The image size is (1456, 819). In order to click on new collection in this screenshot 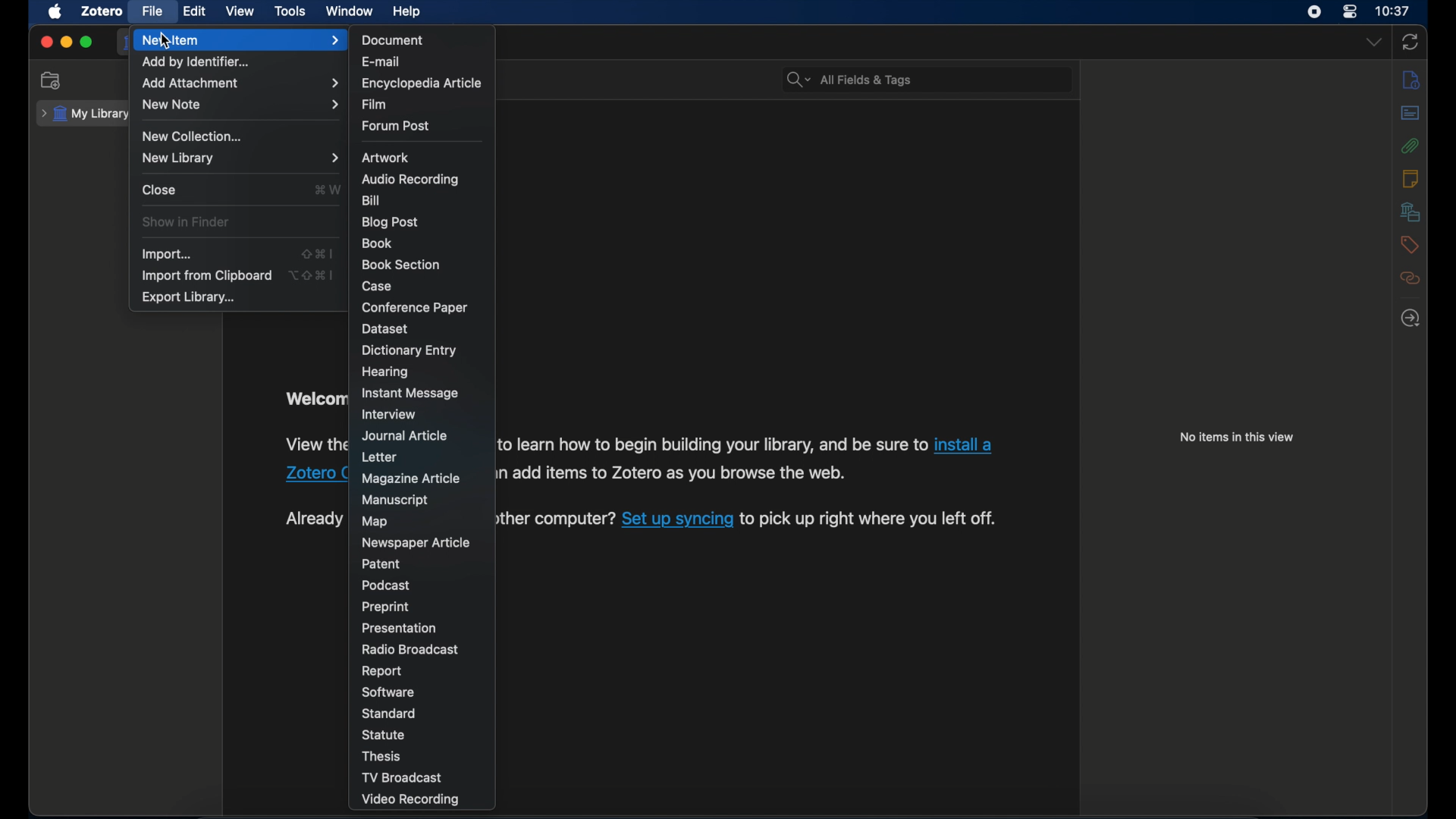, I will do `click(194, 136)`.